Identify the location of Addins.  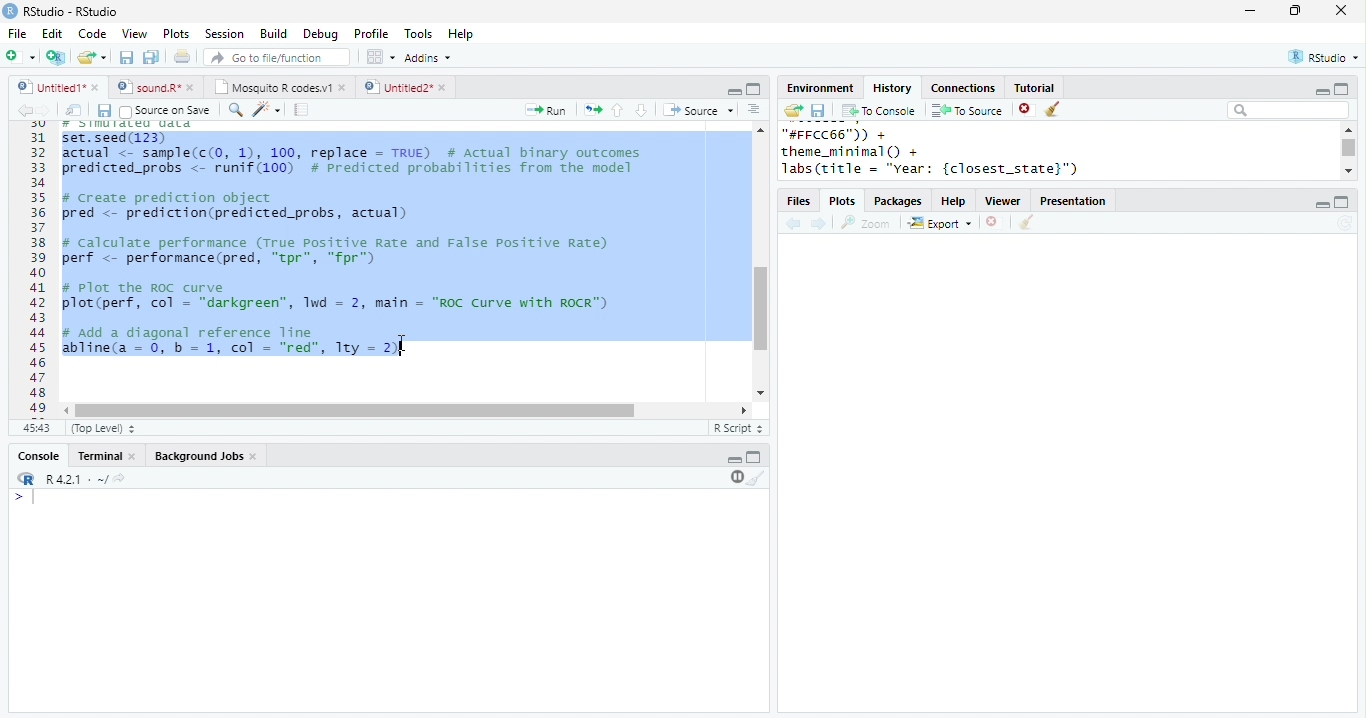
(428, 58).